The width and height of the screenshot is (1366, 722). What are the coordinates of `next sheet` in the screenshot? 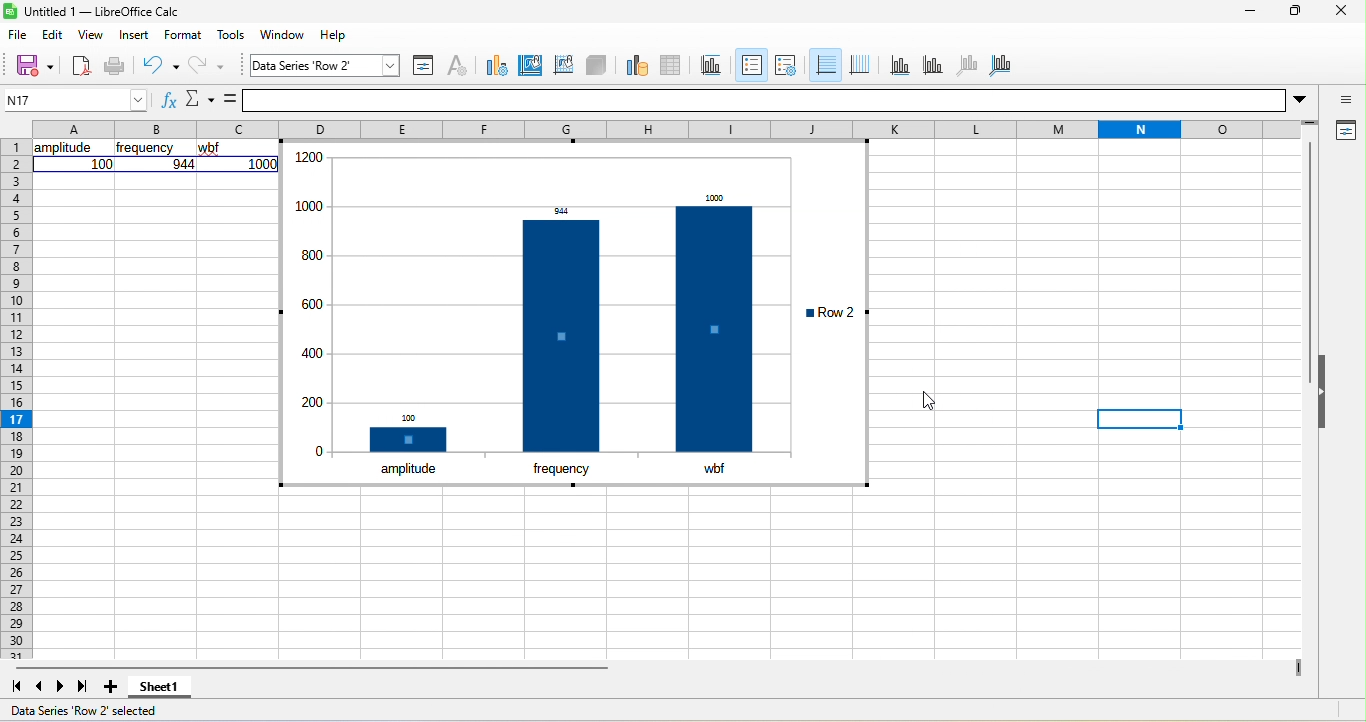 It's located at (62, 685).